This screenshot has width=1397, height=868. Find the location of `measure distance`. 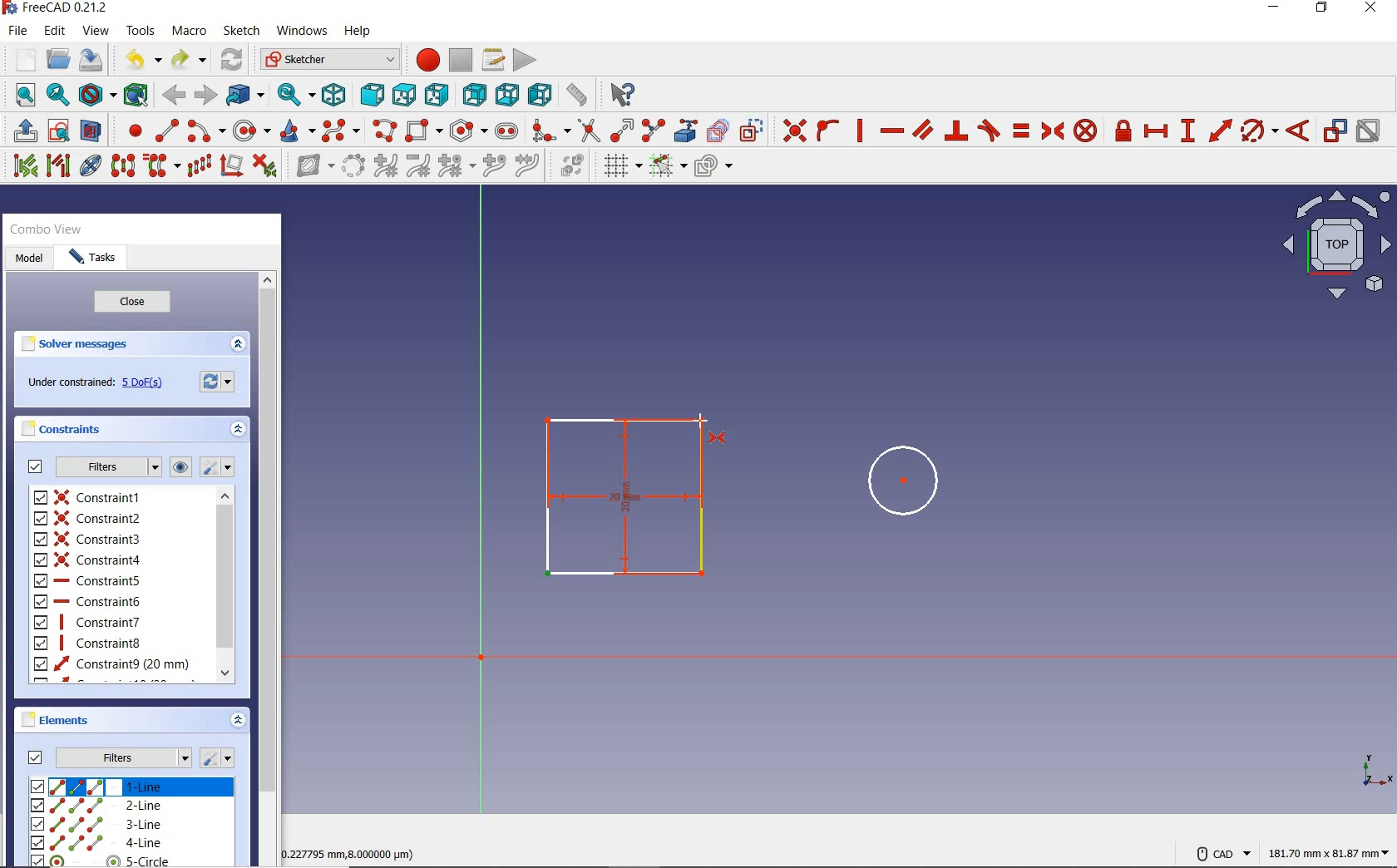

measure distance is located at coordinates (578, 94).